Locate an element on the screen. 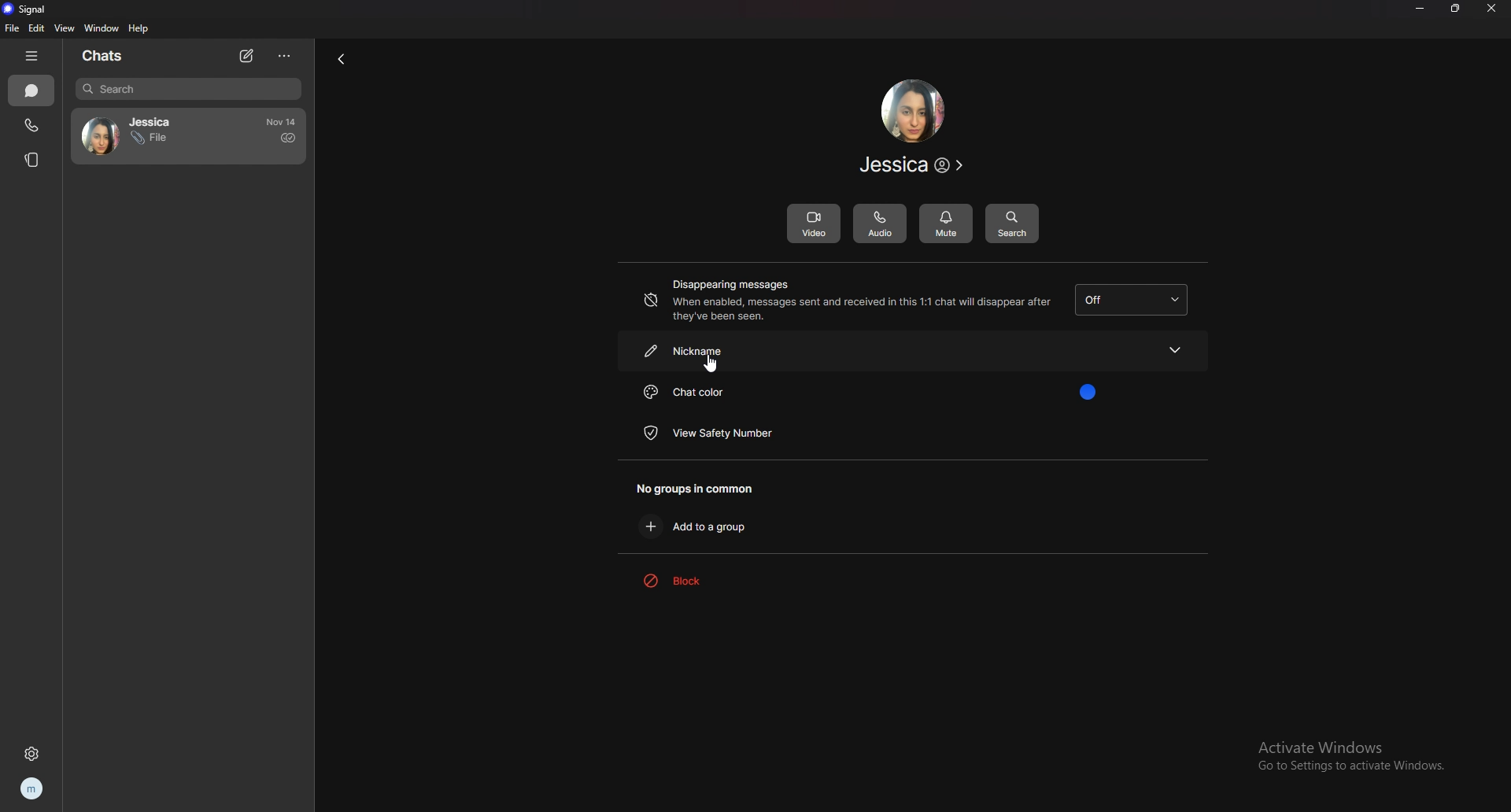 This screenshot has width=1511, height=812. file is located at coordinates (13, 28).